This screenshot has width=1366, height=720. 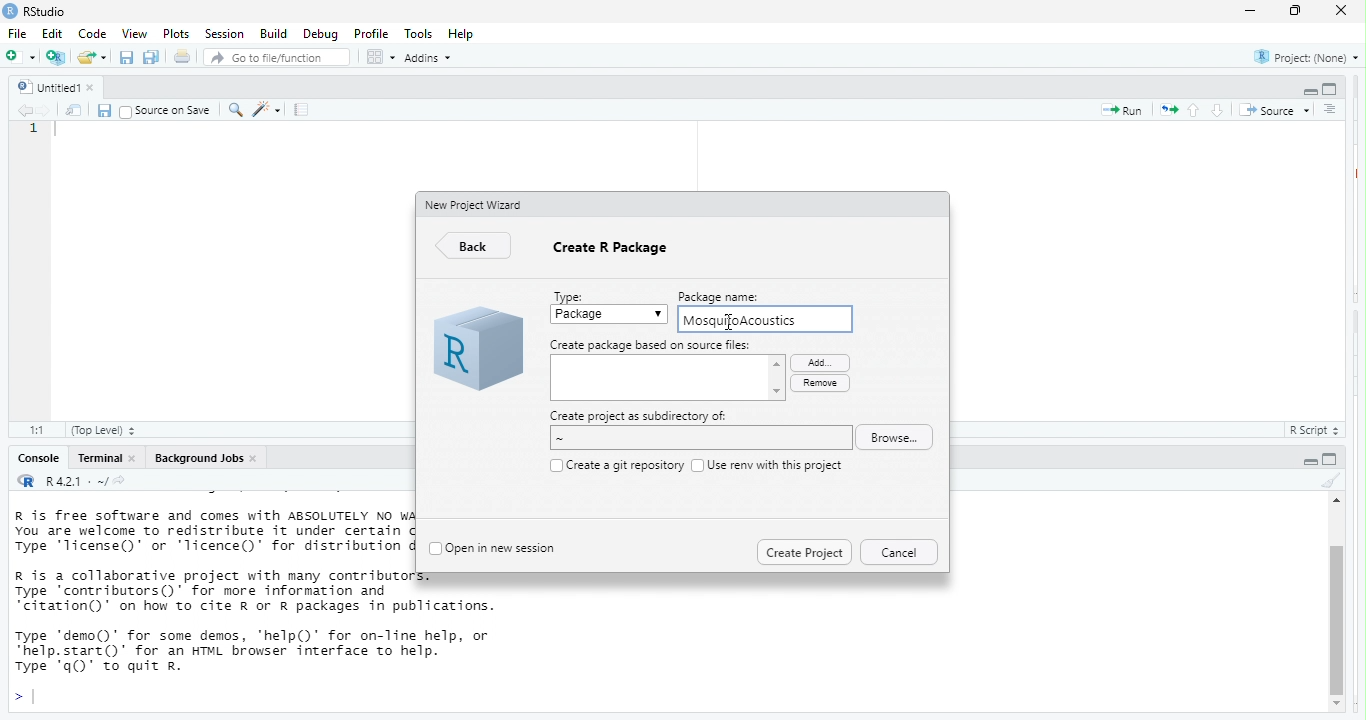 What do you see at coordinates (1343, 13) in the screenshot?
I see `close` at bounding box center [1343, 13].